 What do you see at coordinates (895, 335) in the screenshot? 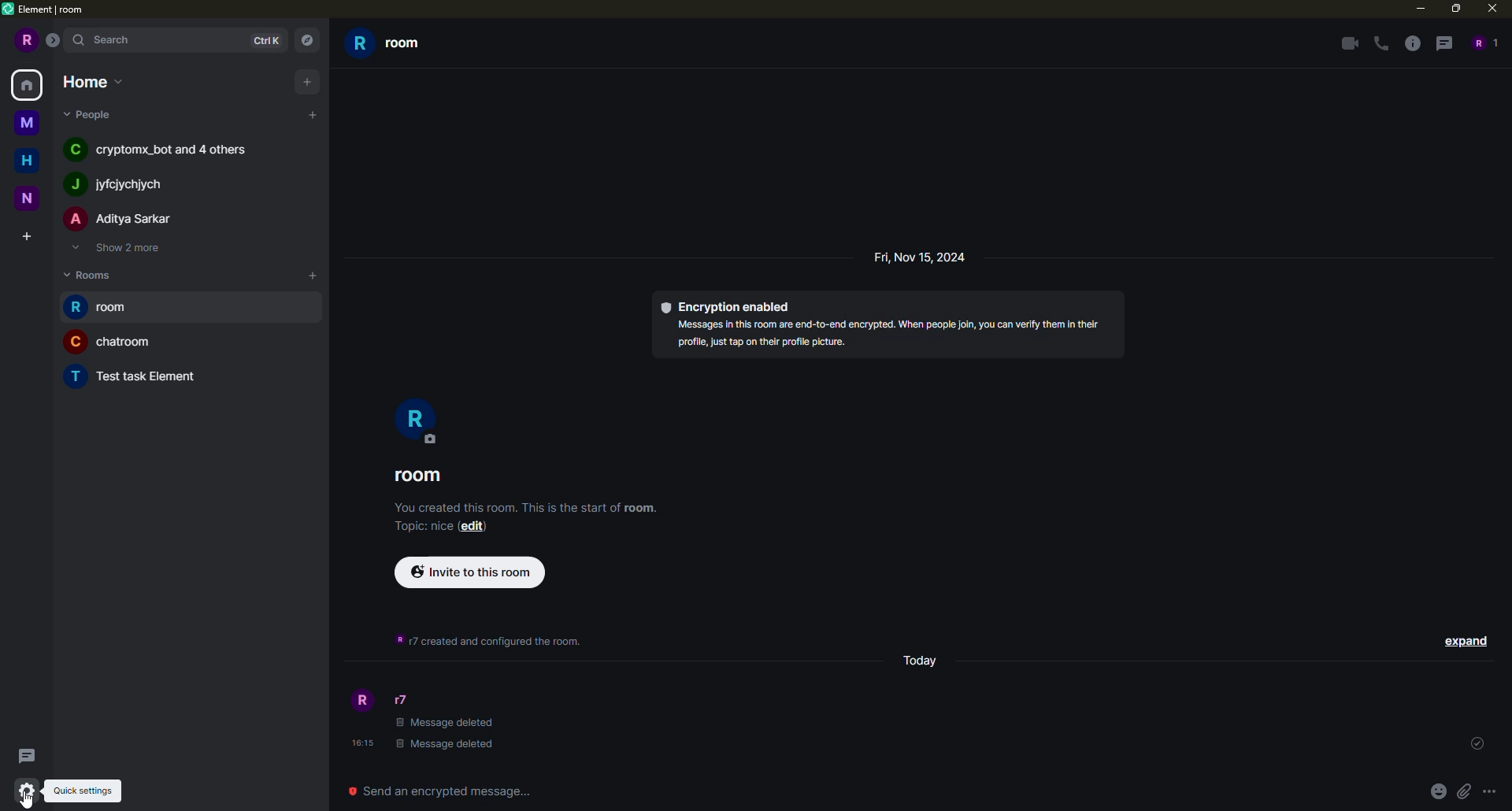
I see `info` at bounding box center [895, 335].